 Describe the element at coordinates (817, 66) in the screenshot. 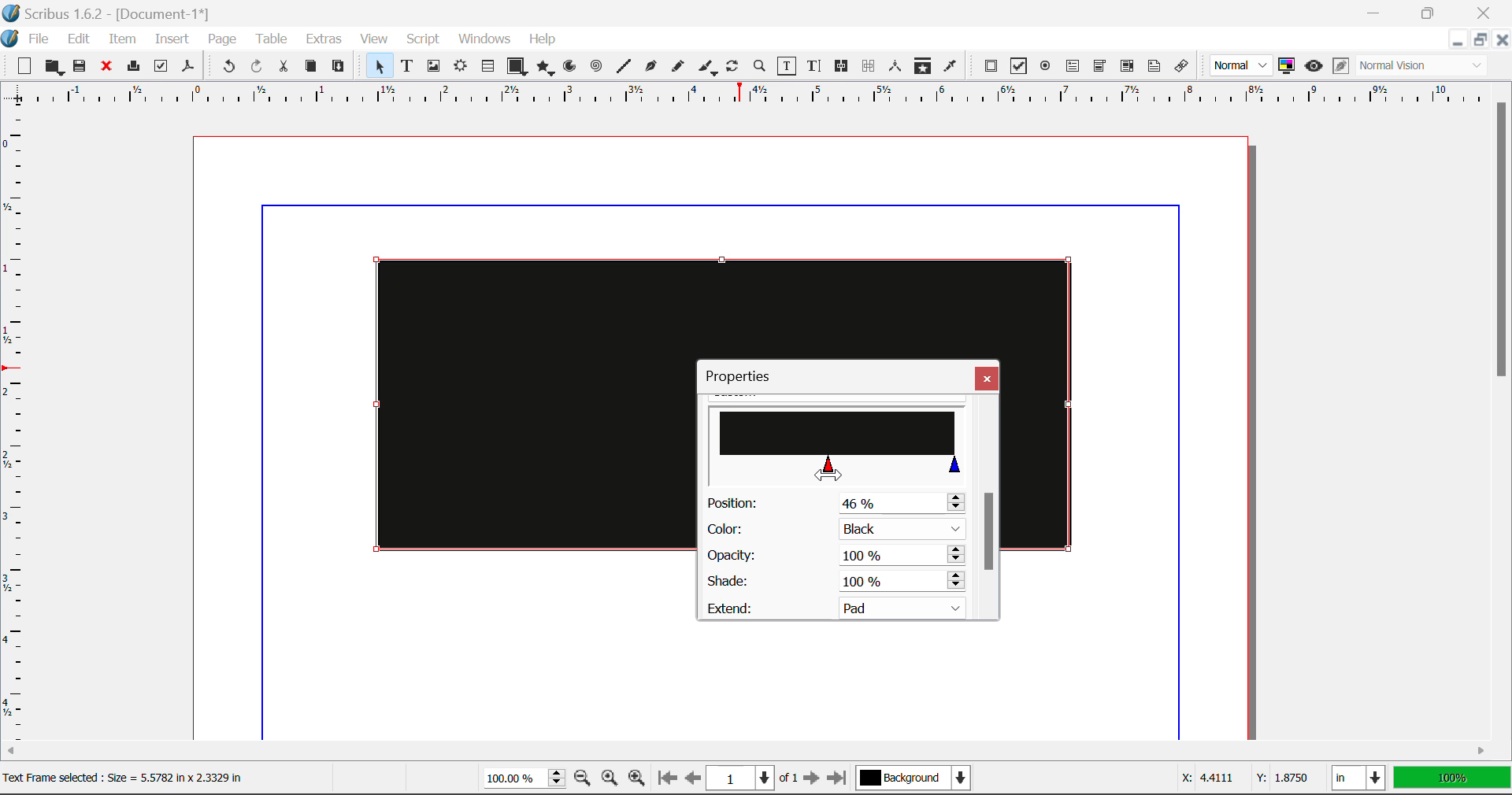

I see `Edit Text with Story Editor` at that location.